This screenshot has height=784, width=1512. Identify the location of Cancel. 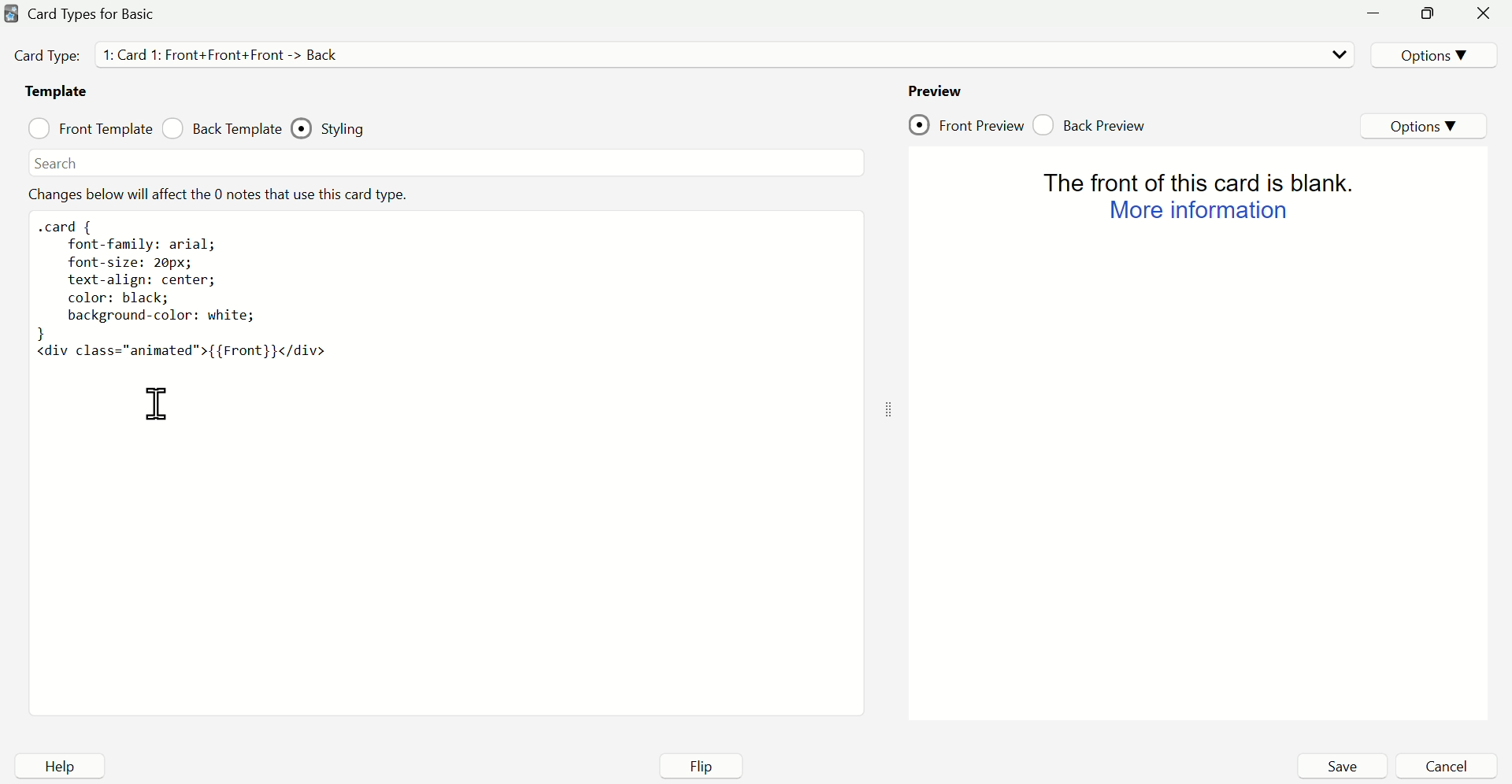
(1447, 766).